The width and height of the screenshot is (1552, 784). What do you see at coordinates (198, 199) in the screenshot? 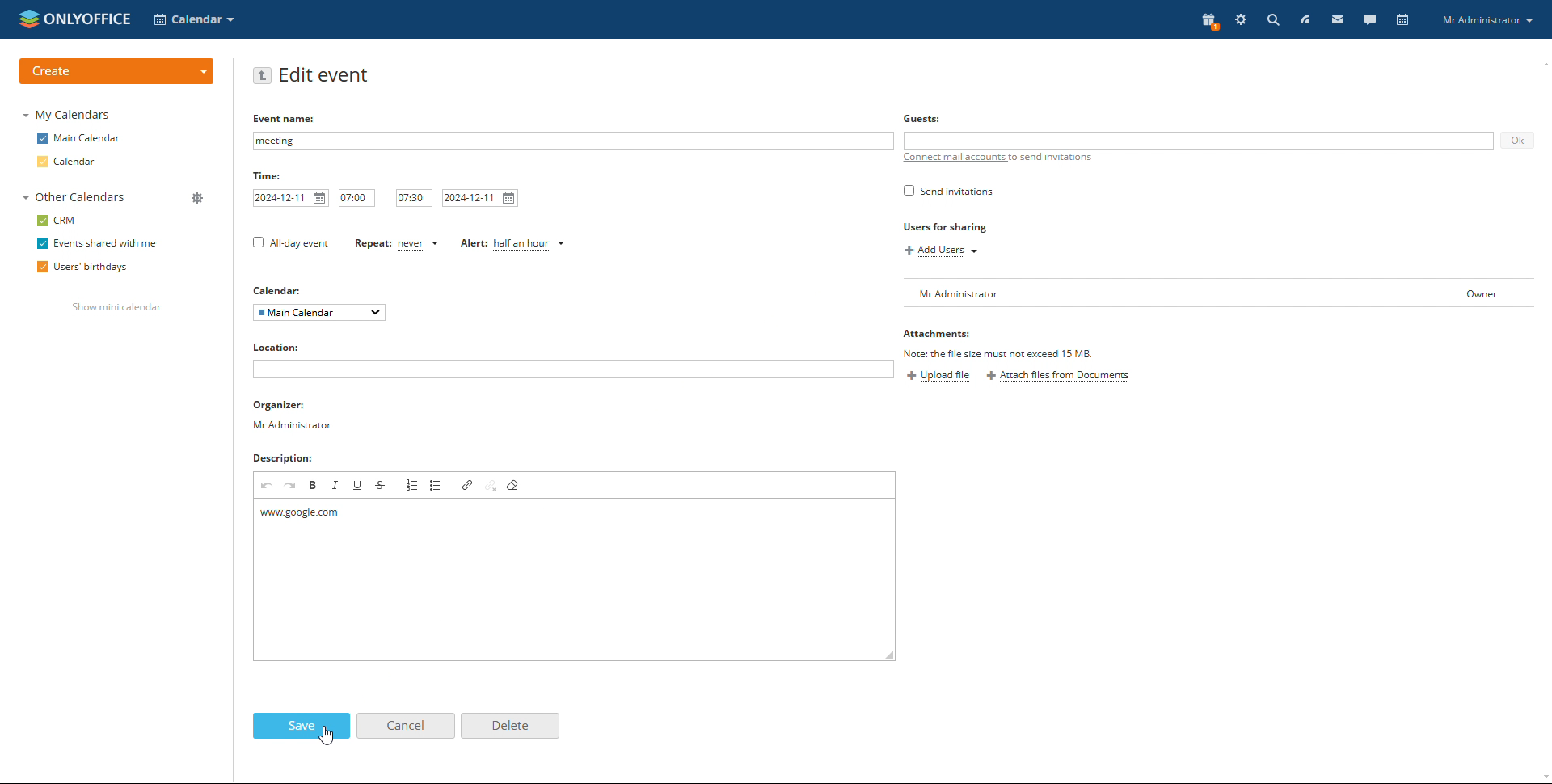
I see `manage` at bounding box center [198, 199].